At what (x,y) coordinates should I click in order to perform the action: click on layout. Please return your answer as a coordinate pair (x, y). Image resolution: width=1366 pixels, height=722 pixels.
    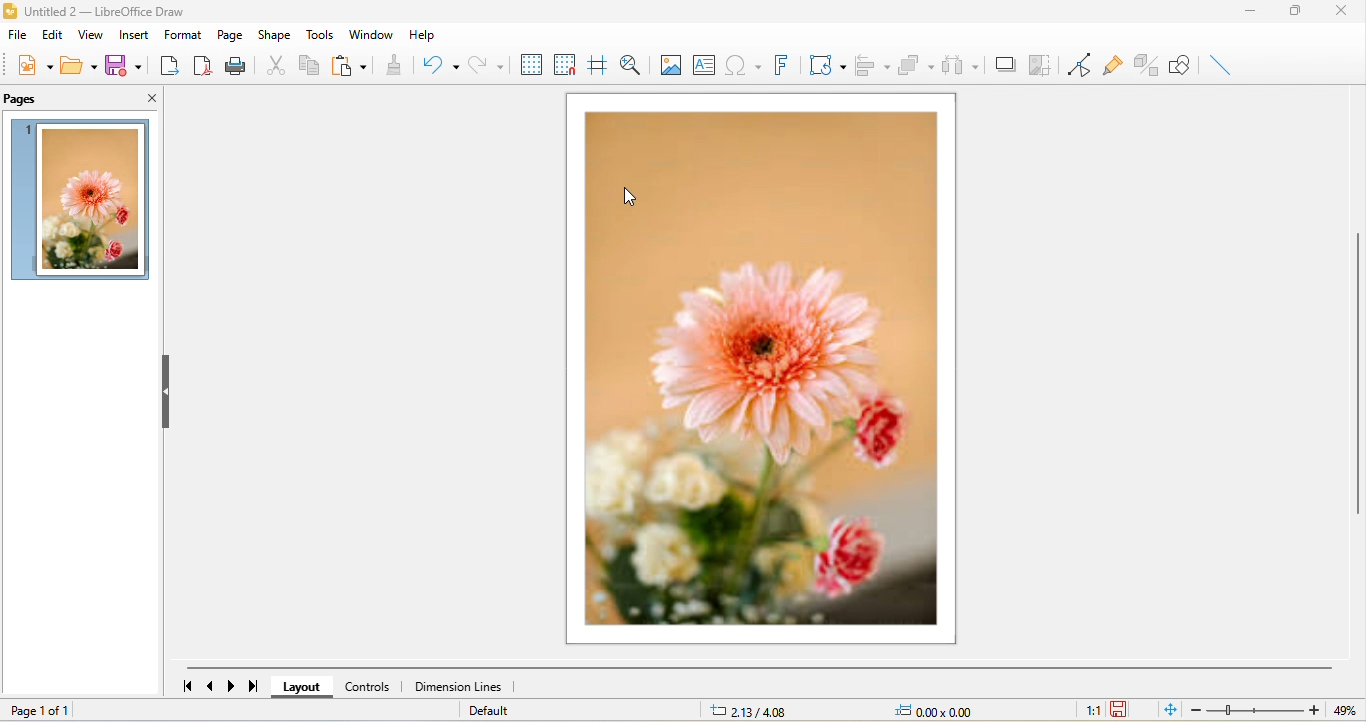
    Looking at the image, I should click on (307, 687).